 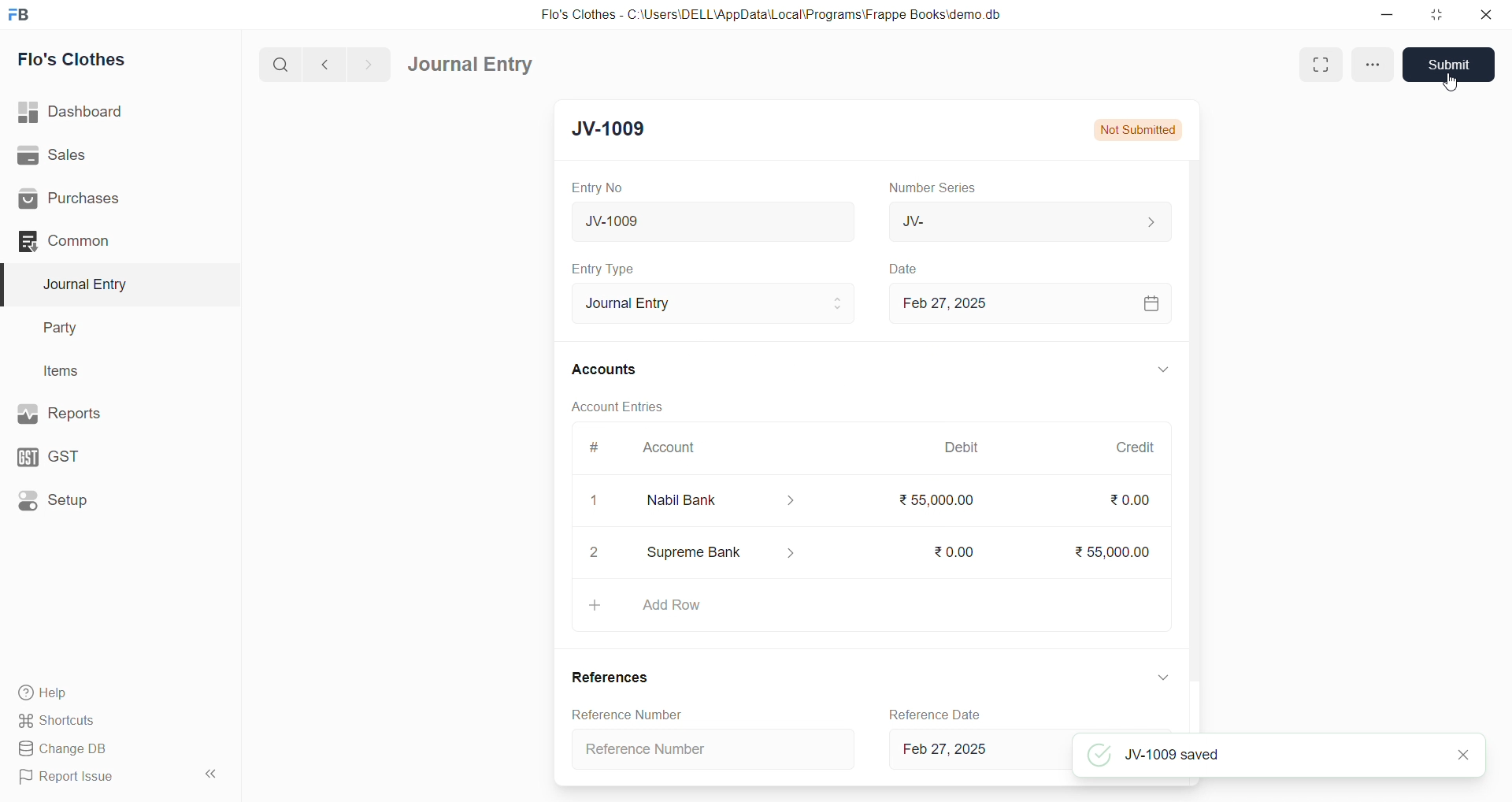 What do you see at coordinates (627, 712) in the screenshot?
I see `Reference Number` at bounding box center [627, 712].